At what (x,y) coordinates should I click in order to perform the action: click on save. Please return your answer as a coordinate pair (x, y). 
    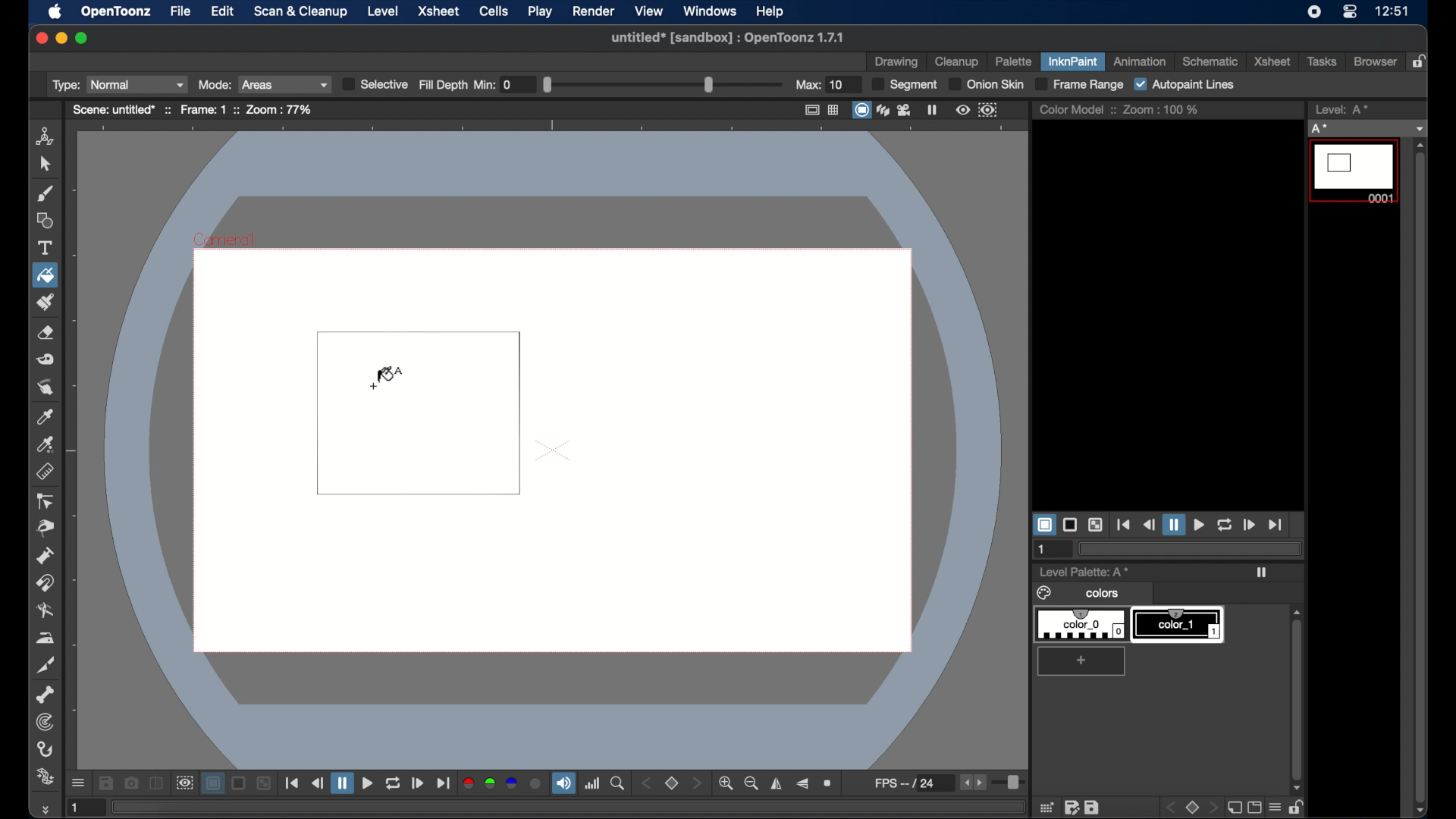
    Looking at the image, I should click on (1092, 807).